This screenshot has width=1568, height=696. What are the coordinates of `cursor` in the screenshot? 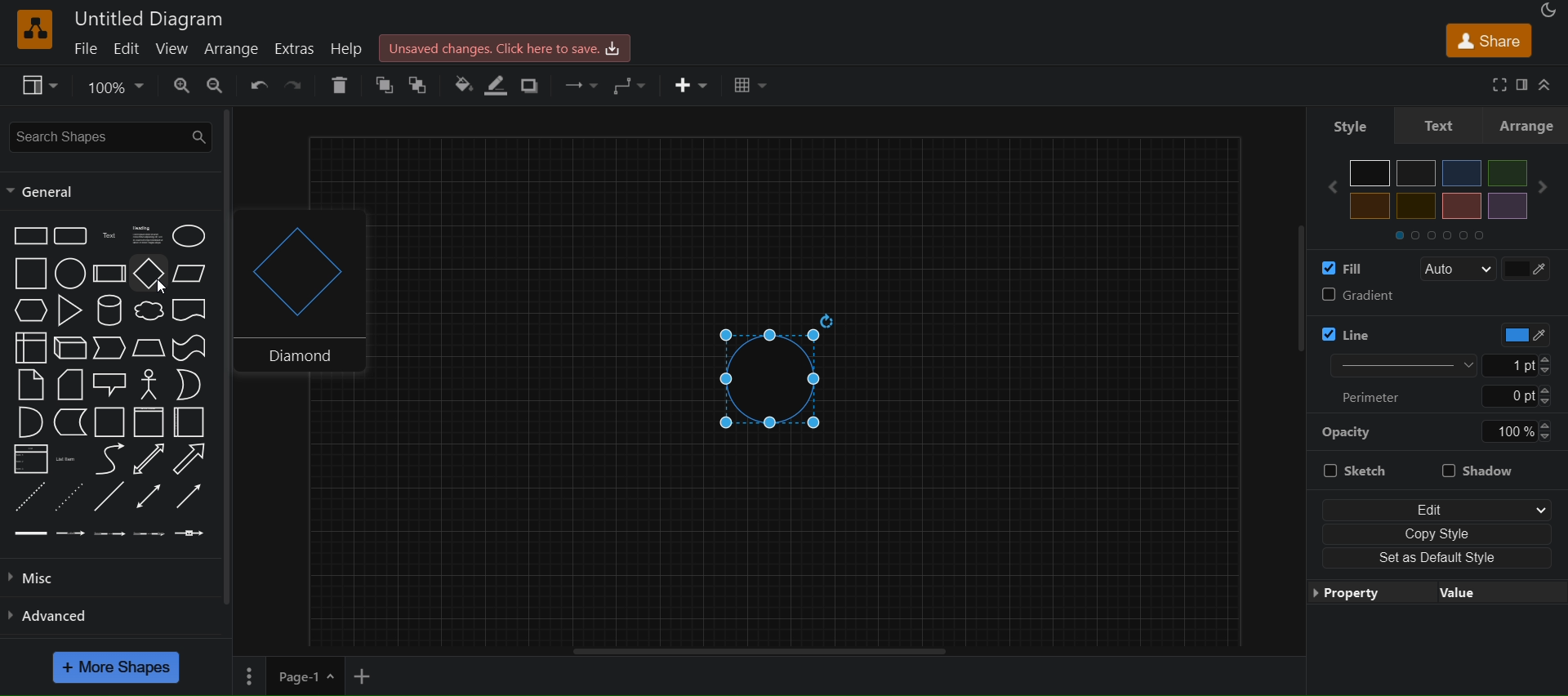 It's located at (162, 288).